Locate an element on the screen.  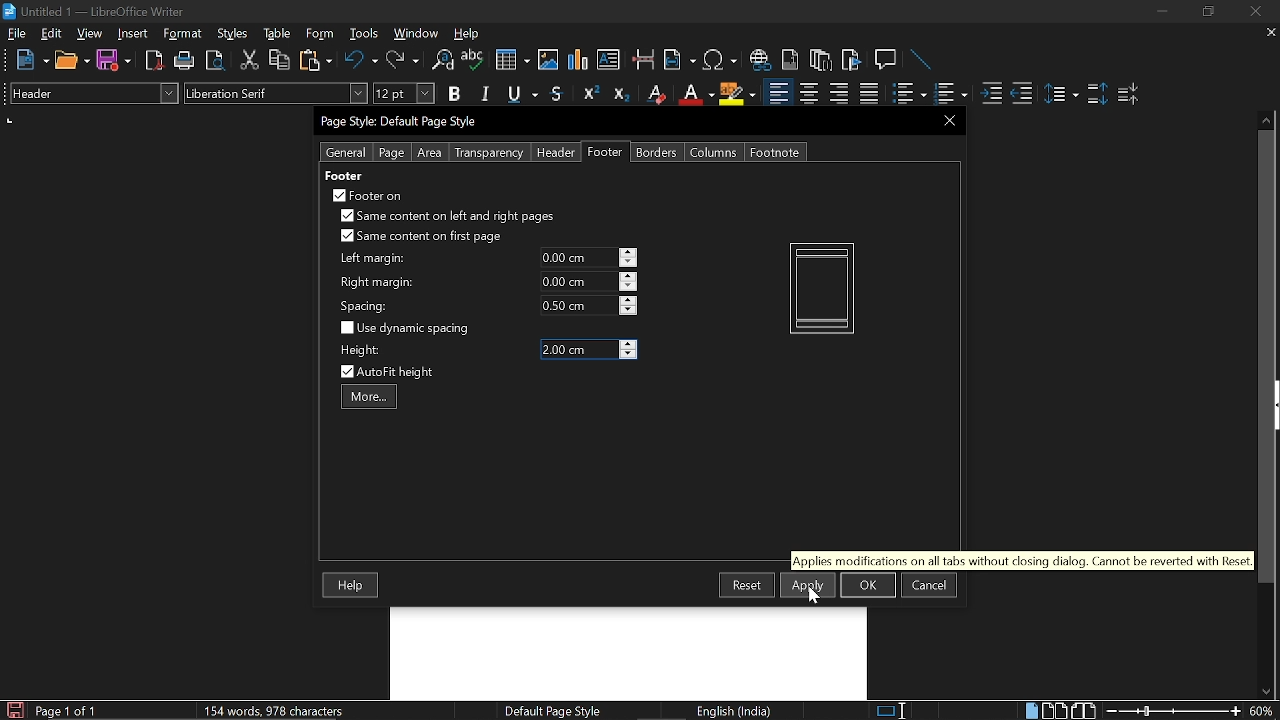
Same content on left and right is located at coordinates (446, 218).